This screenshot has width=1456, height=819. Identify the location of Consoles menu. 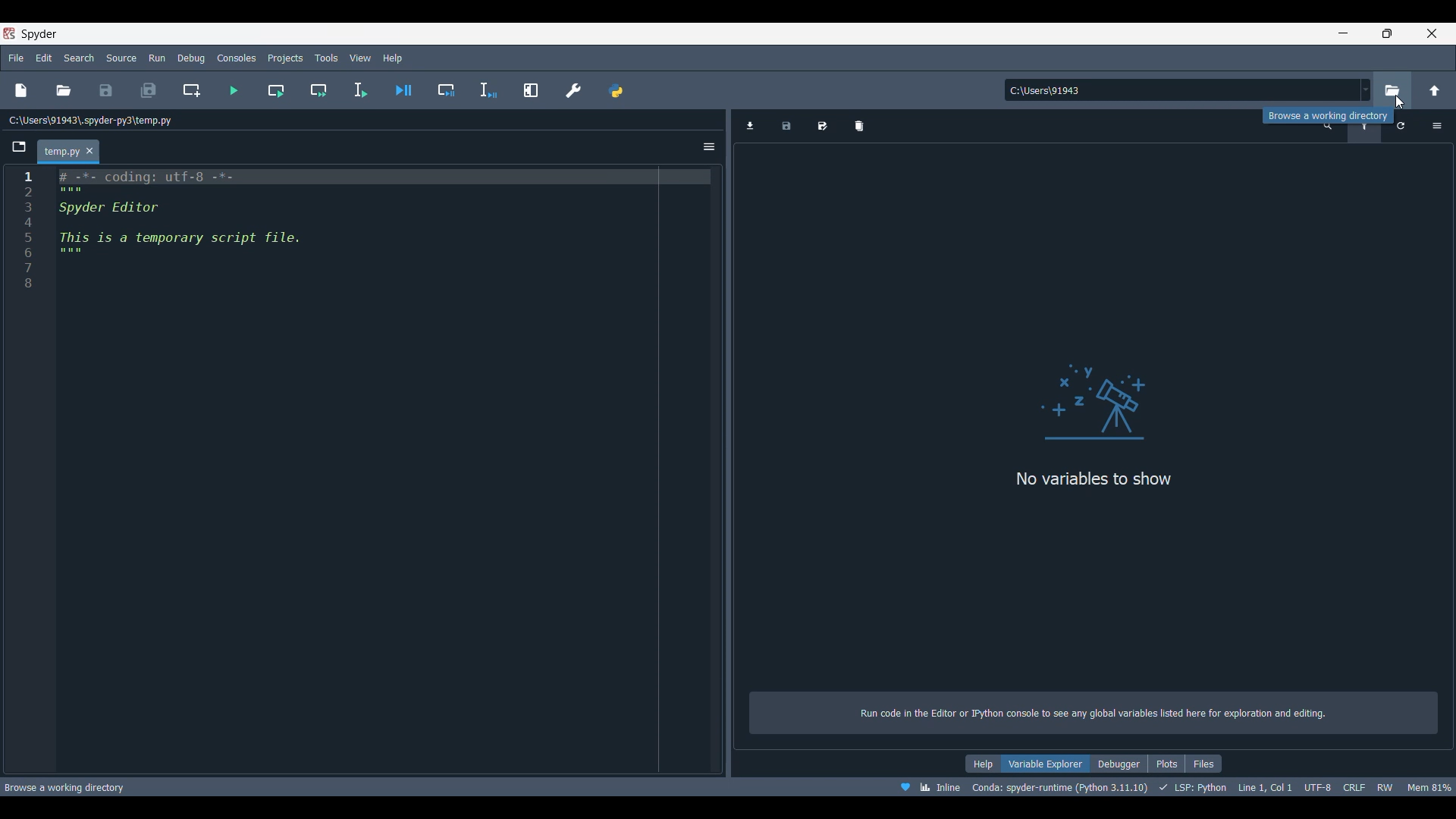
(237, 58).